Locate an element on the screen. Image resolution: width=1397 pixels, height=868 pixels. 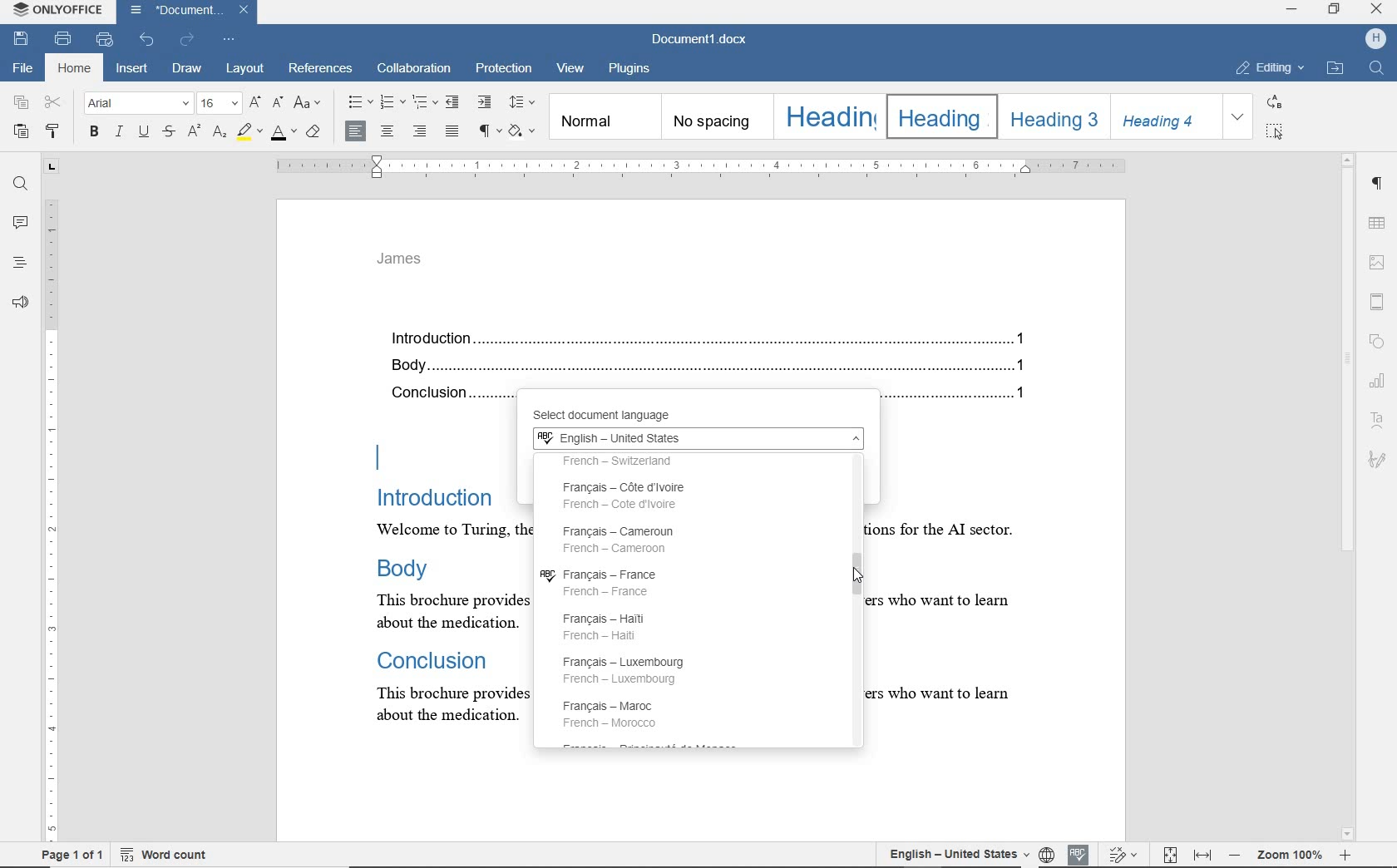
fit to page is located at coordinates (1171, 856).